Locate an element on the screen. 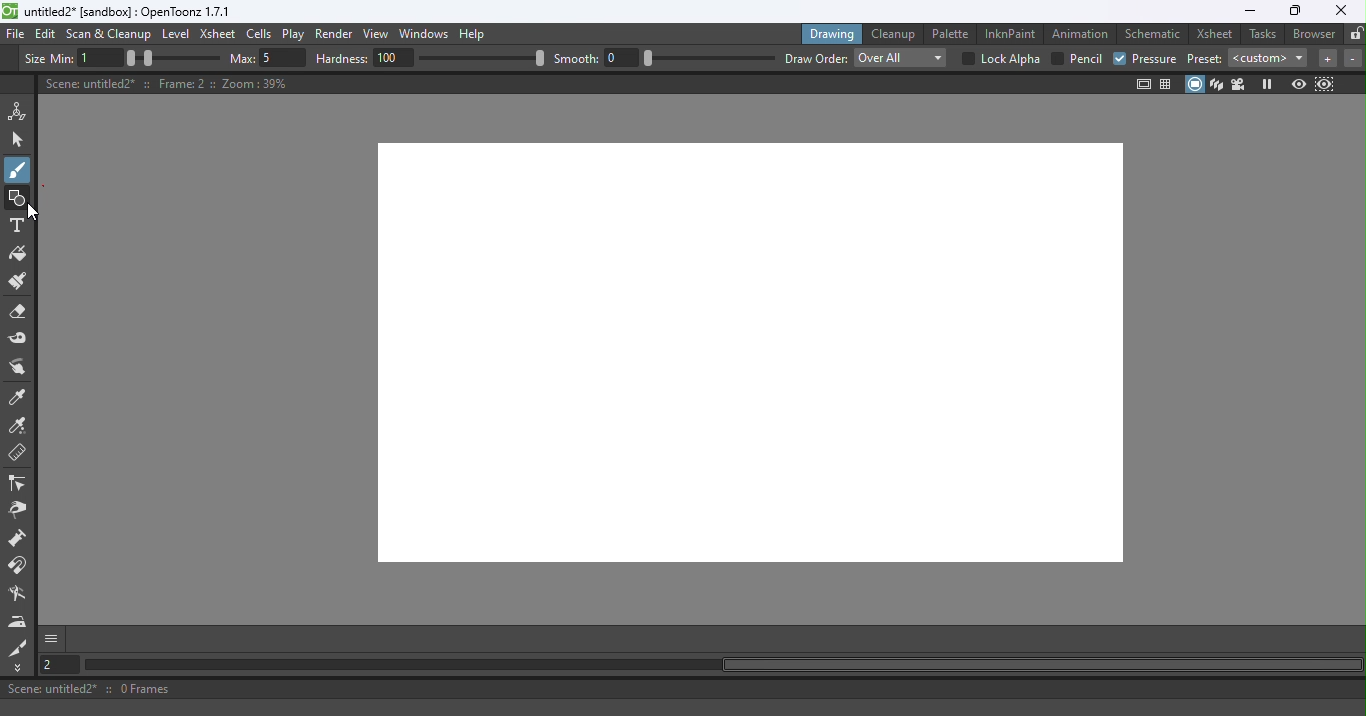 Image resolution: width=1366 pixels, height=716 pixels. More options is located at coordinates (51, 638).